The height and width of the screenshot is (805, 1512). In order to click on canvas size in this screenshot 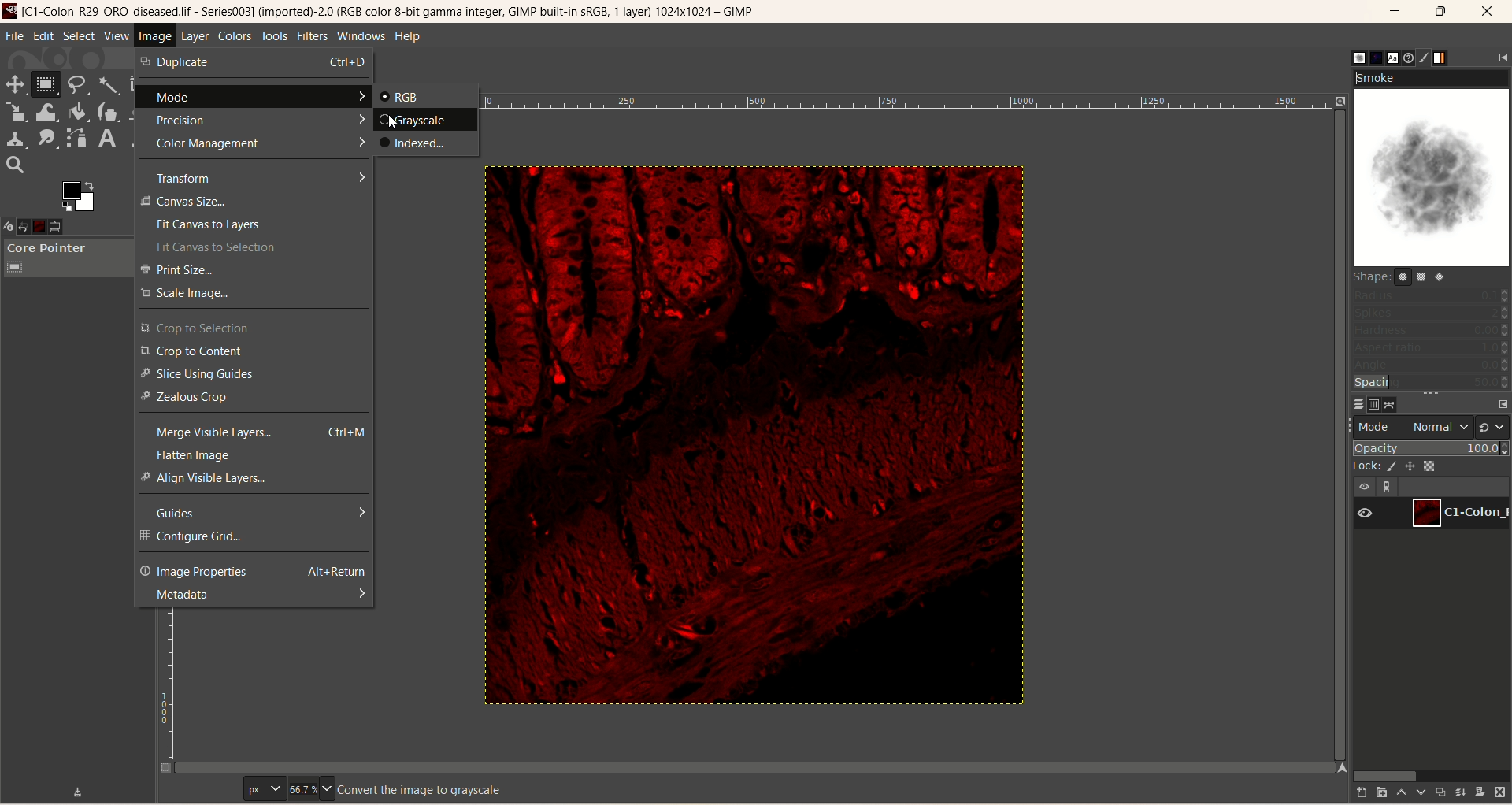, I will do `click(253, 202)`.